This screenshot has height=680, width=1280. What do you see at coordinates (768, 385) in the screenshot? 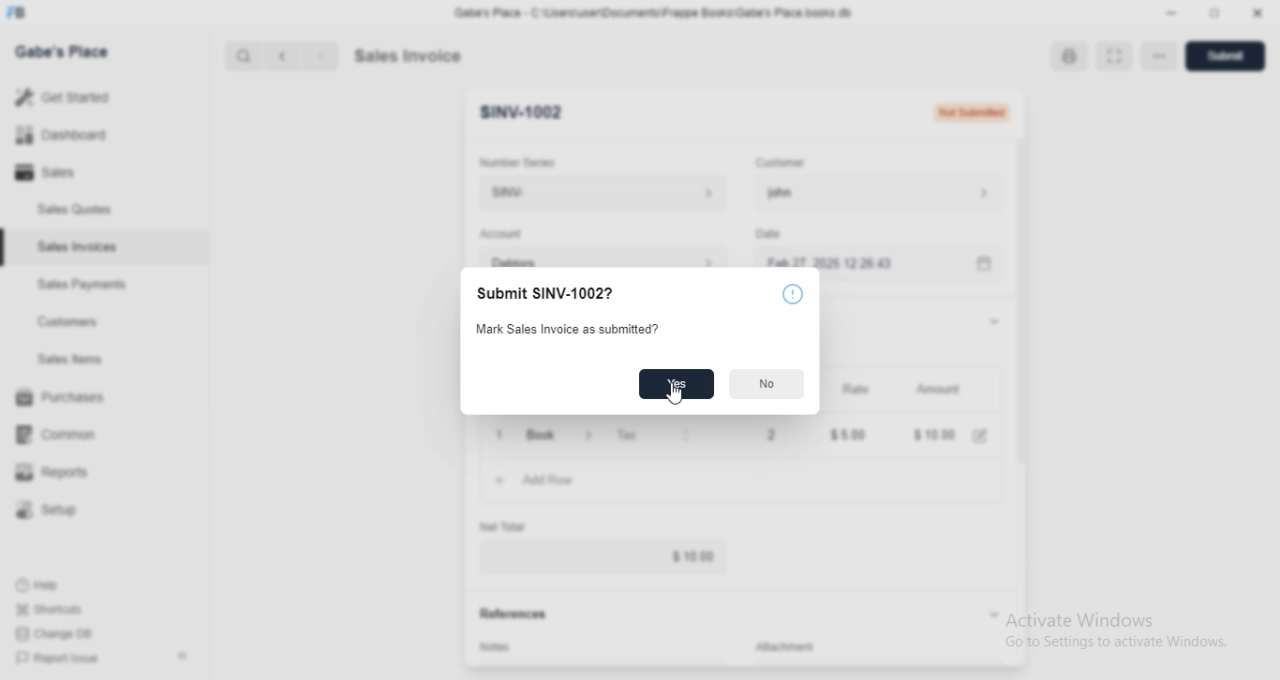
I see `No` at bounding box center [768, 385].